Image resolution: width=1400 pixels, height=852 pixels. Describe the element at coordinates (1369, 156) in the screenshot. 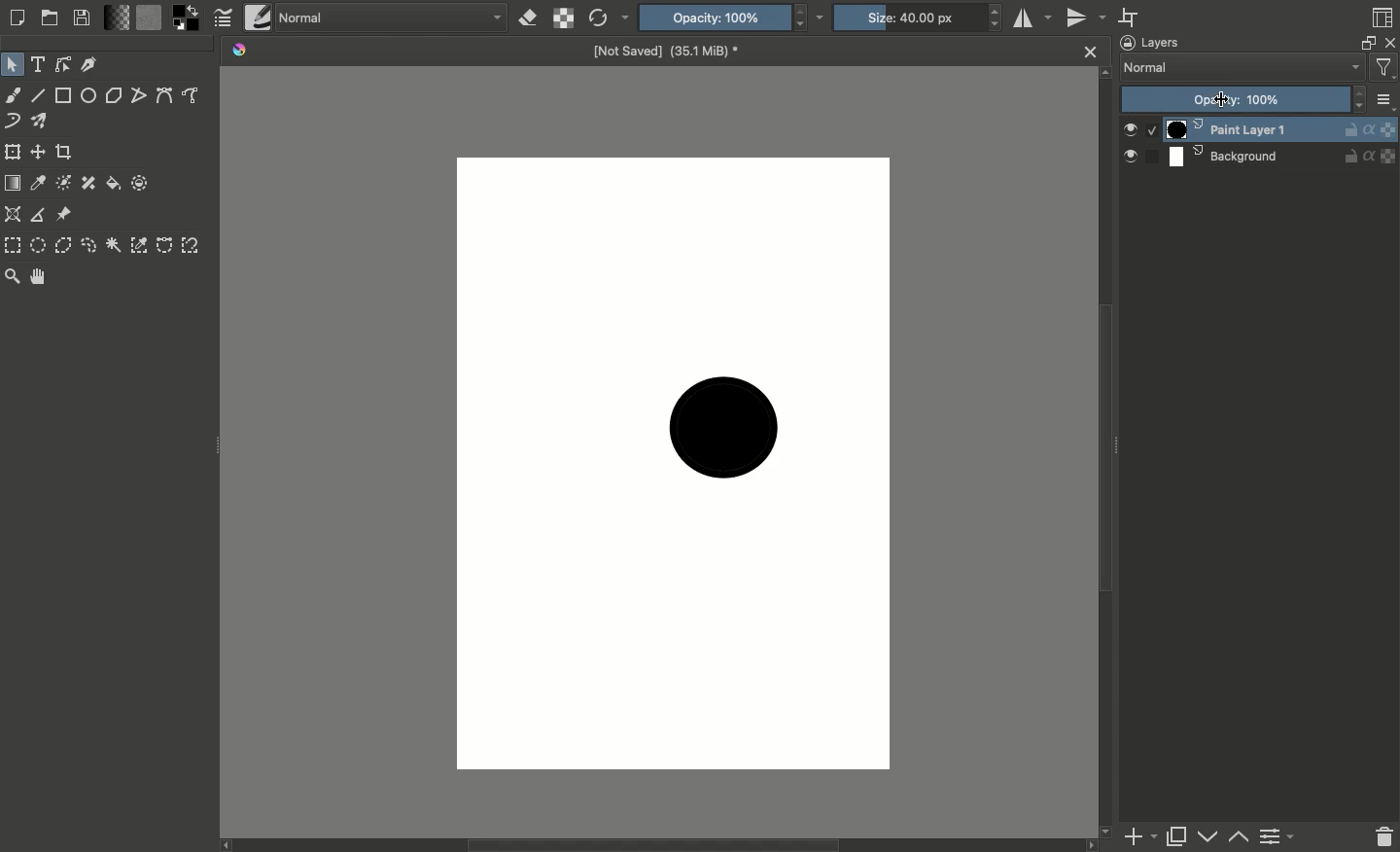

I see `alpha` at that location.